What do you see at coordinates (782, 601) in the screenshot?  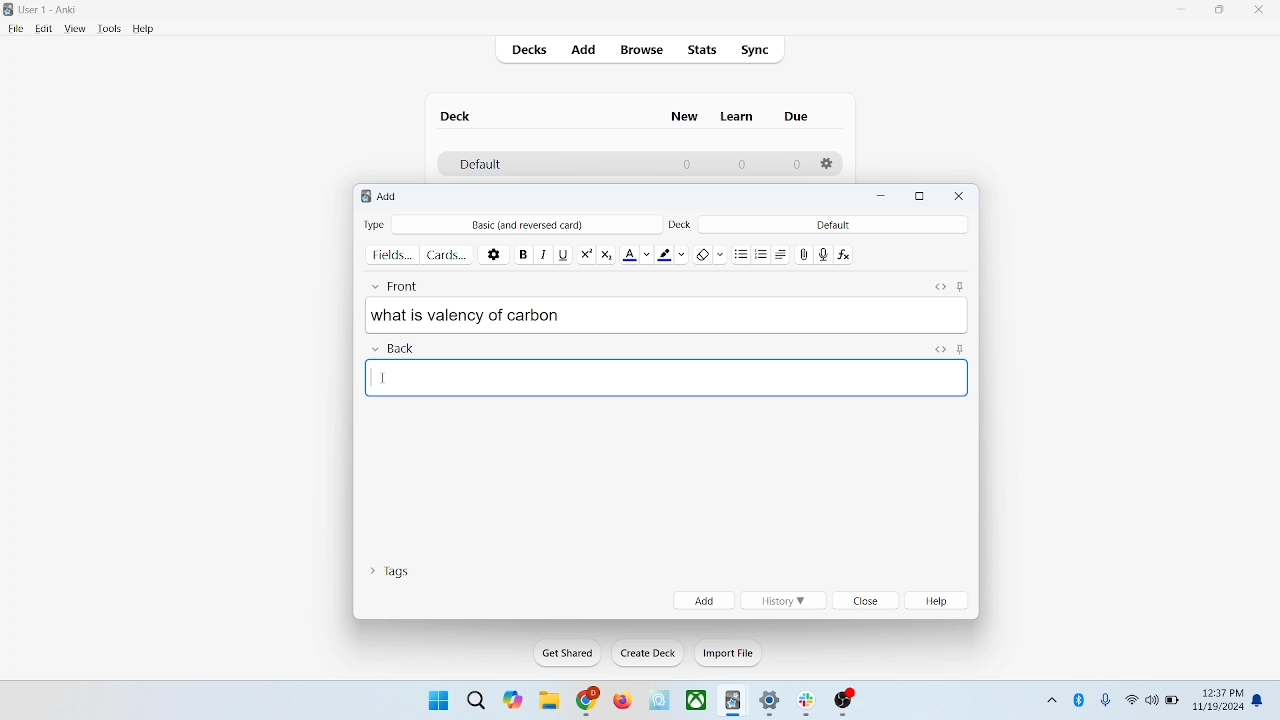 I see `history` at bounding box center [782, 601].